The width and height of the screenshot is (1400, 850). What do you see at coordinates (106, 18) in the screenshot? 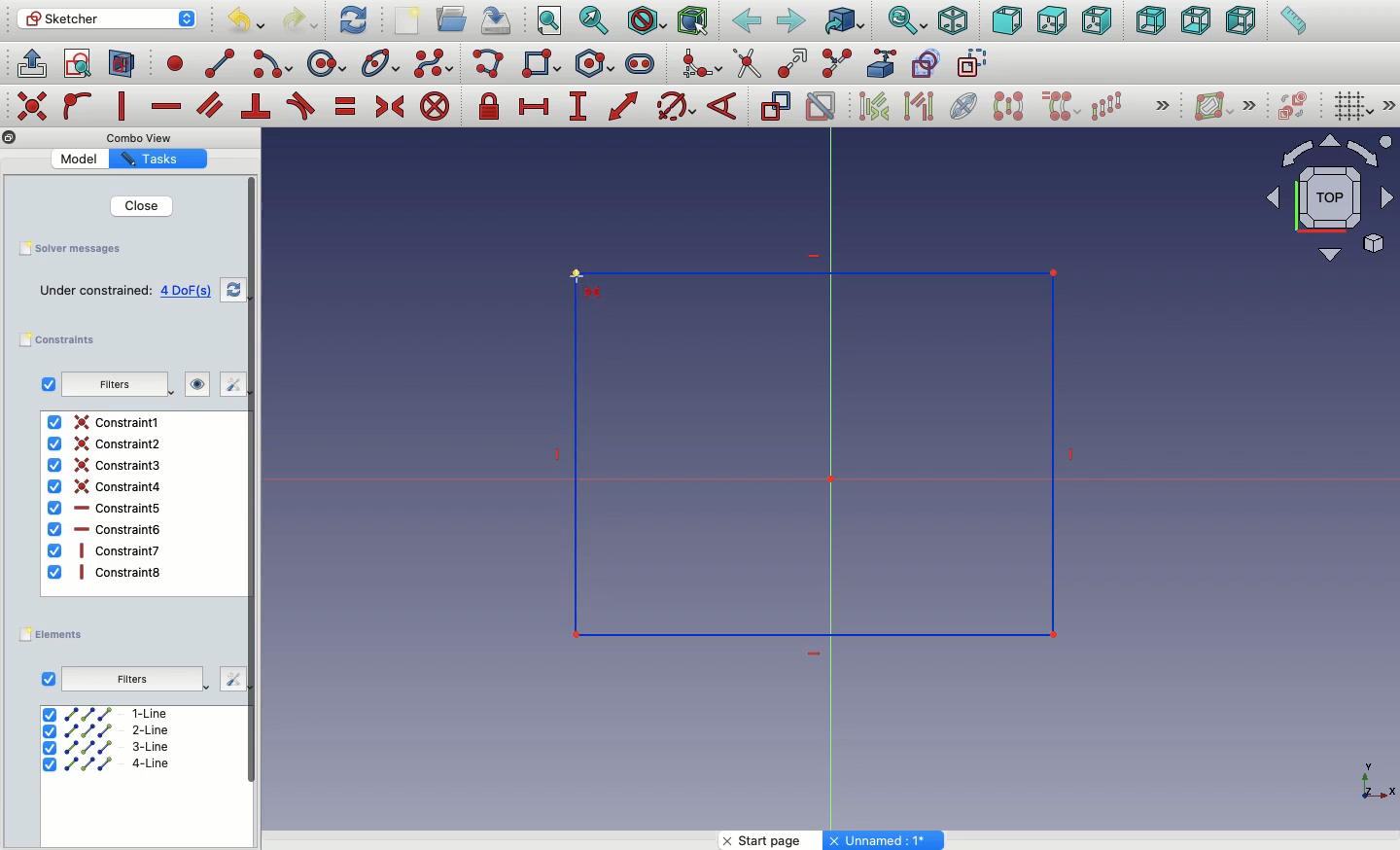
I see `Sketcher - Workbench` at bounding box center [106, 18].